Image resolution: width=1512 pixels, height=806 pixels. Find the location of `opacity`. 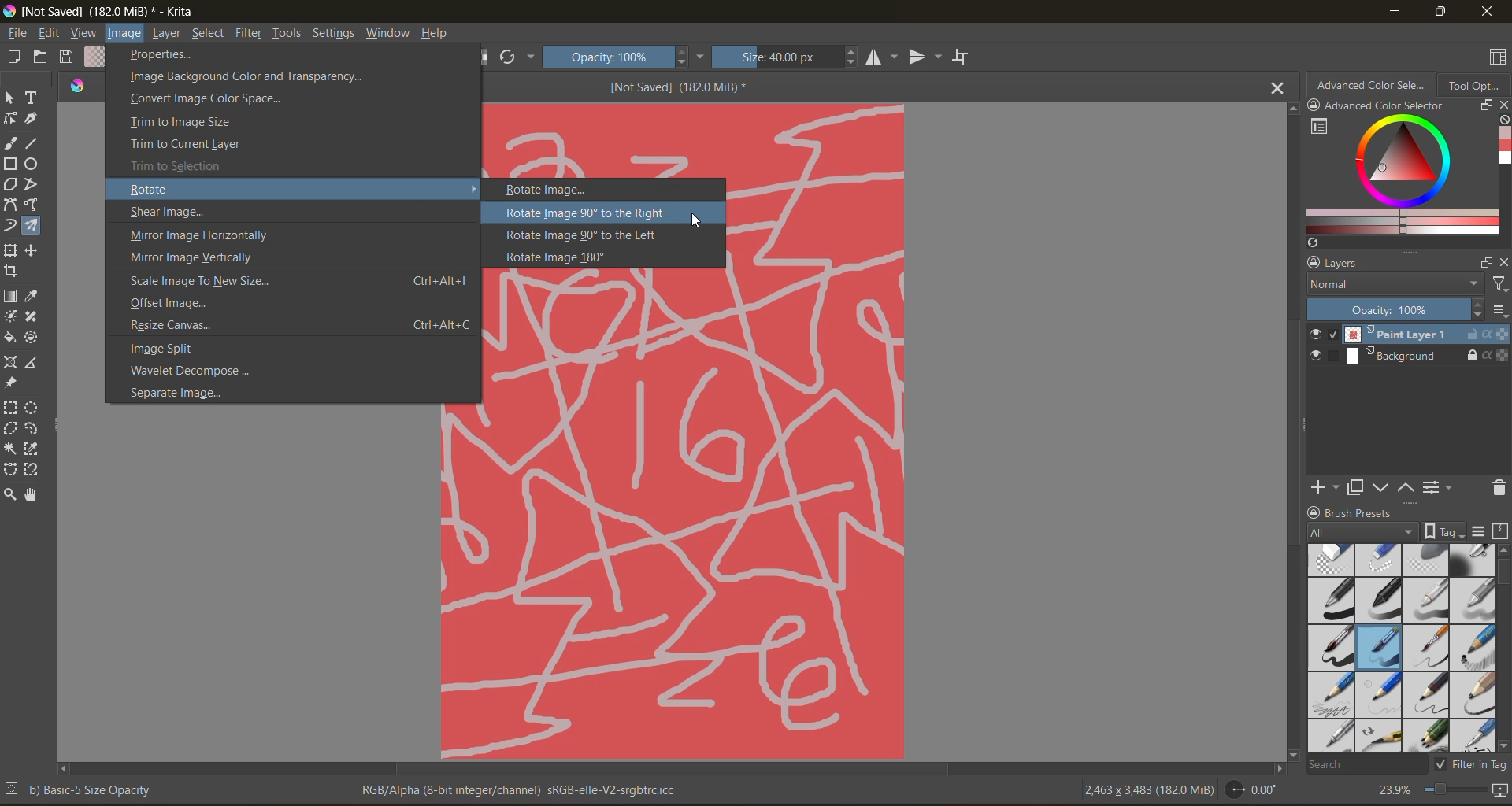

opacity is located at coordinates (1392, 309).